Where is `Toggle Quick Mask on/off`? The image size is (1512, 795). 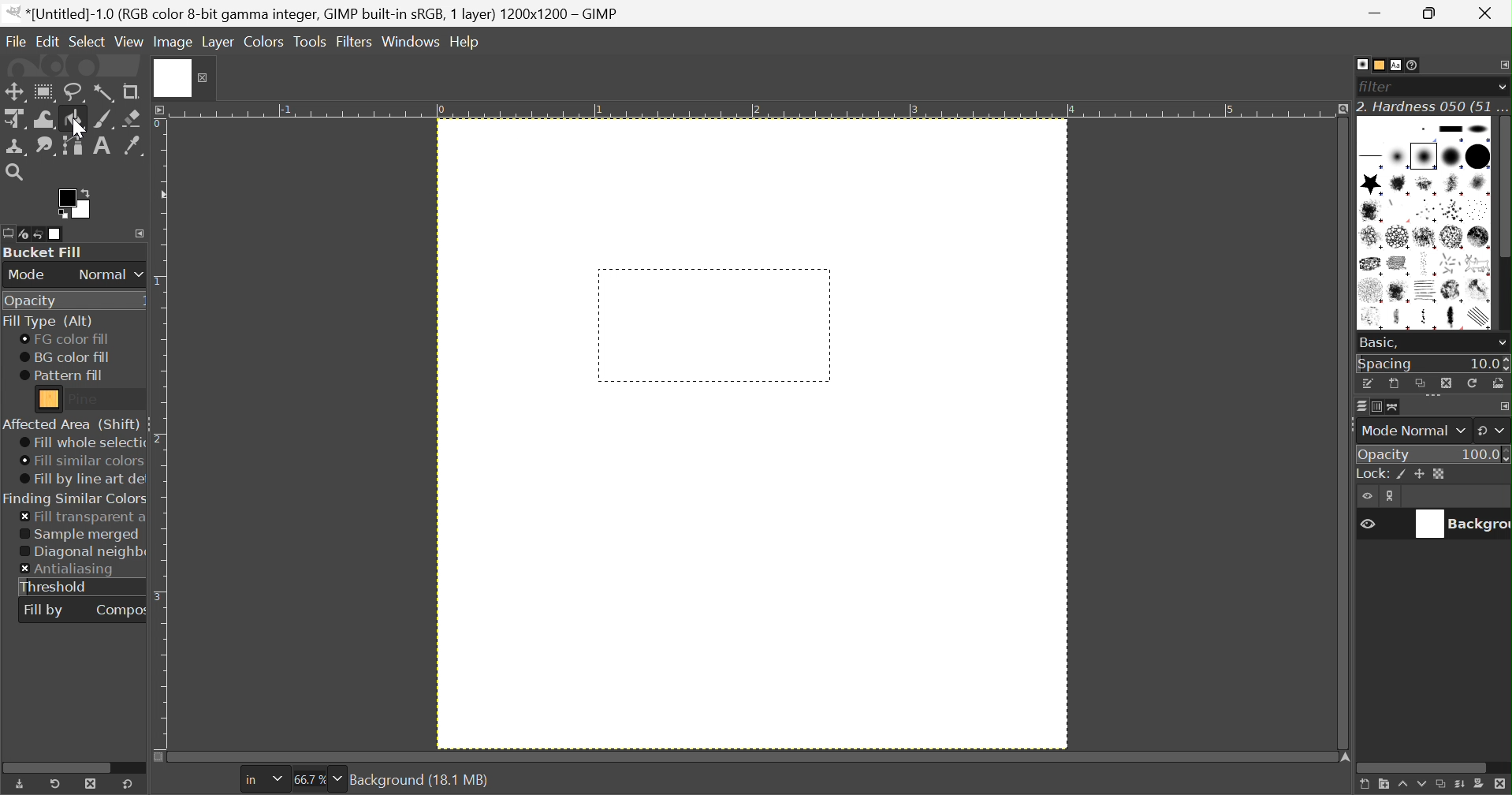 Toggle Quick Mask on/off is located at coordinates (158, 757).